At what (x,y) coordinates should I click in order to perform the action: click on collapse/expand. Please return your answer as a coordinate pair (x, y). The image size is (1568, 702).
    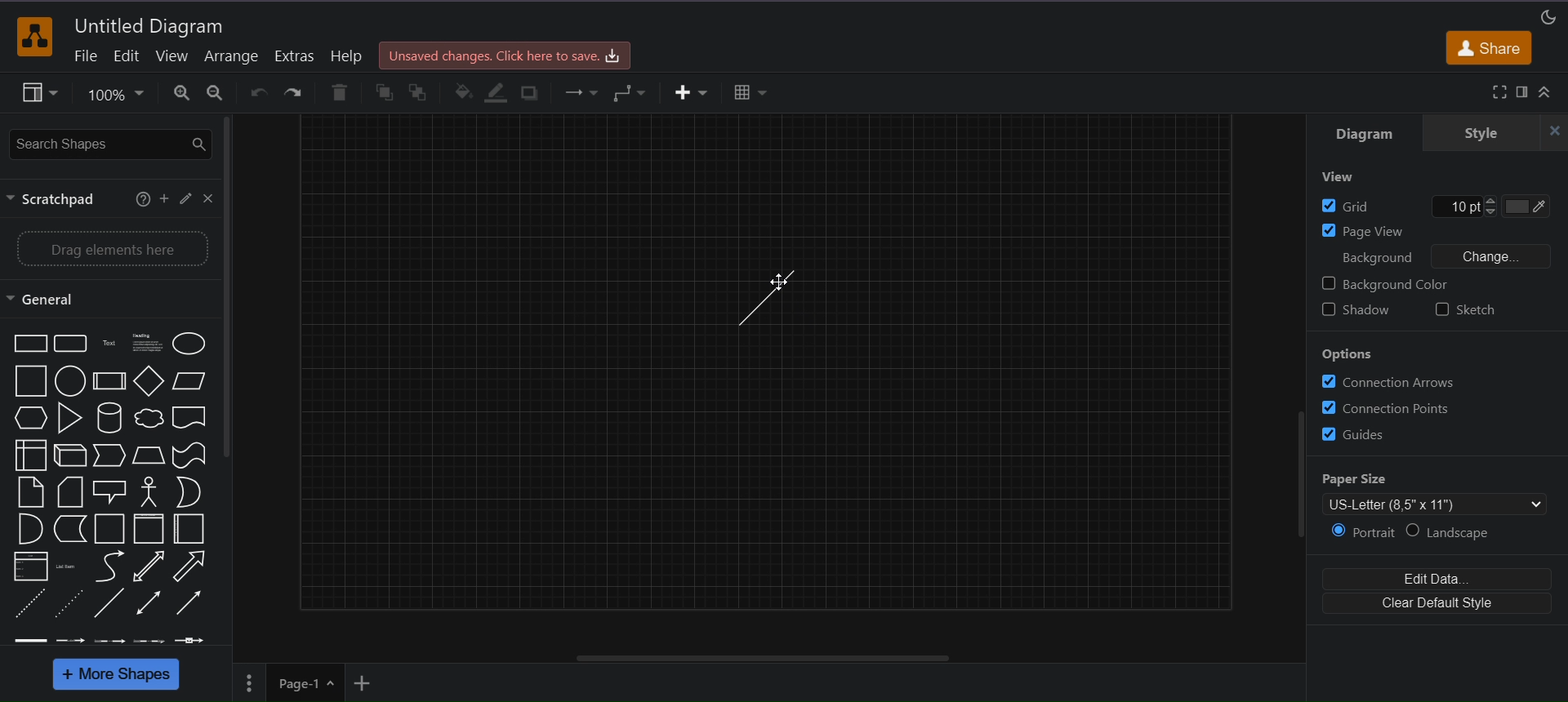
    Looking at the image, I should click on (1547, 94).